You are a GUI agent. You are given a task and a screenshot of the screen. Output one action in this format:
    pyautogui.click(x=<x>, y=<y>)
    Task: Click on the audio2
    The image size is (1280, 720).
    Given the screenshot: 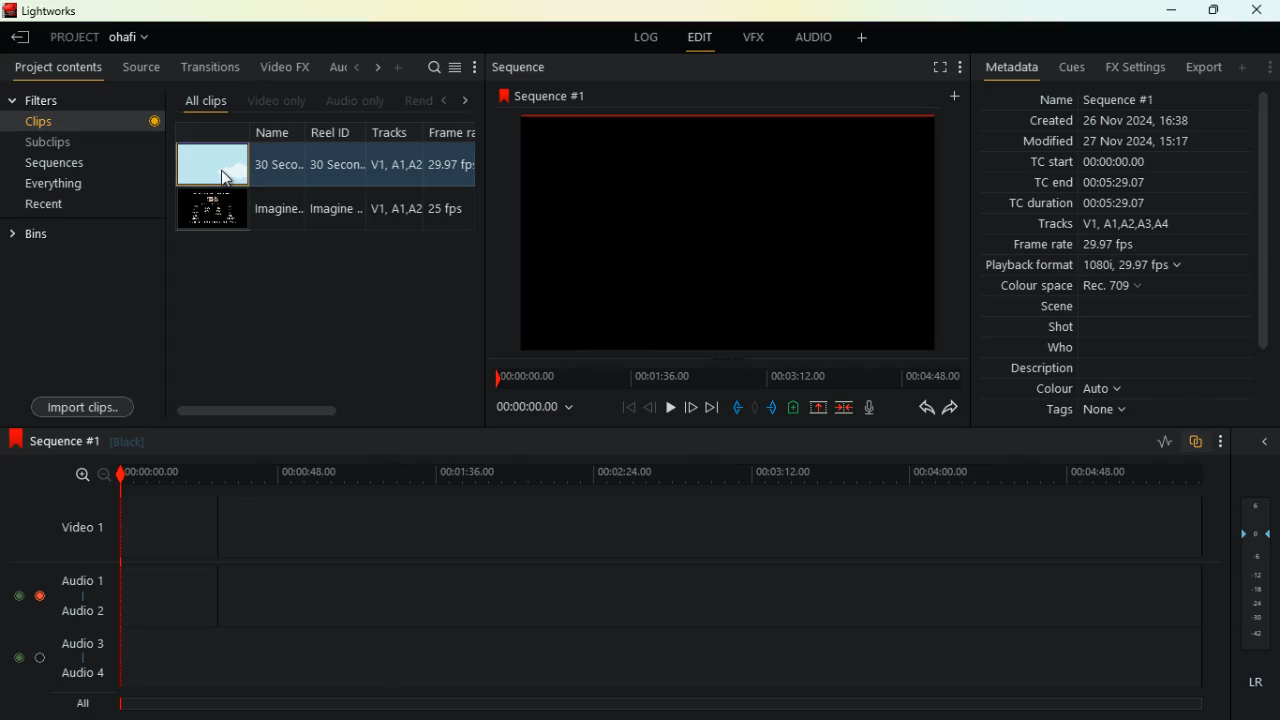 What is the action you would take?
    pyautogui.click(x=78, y=610)
    